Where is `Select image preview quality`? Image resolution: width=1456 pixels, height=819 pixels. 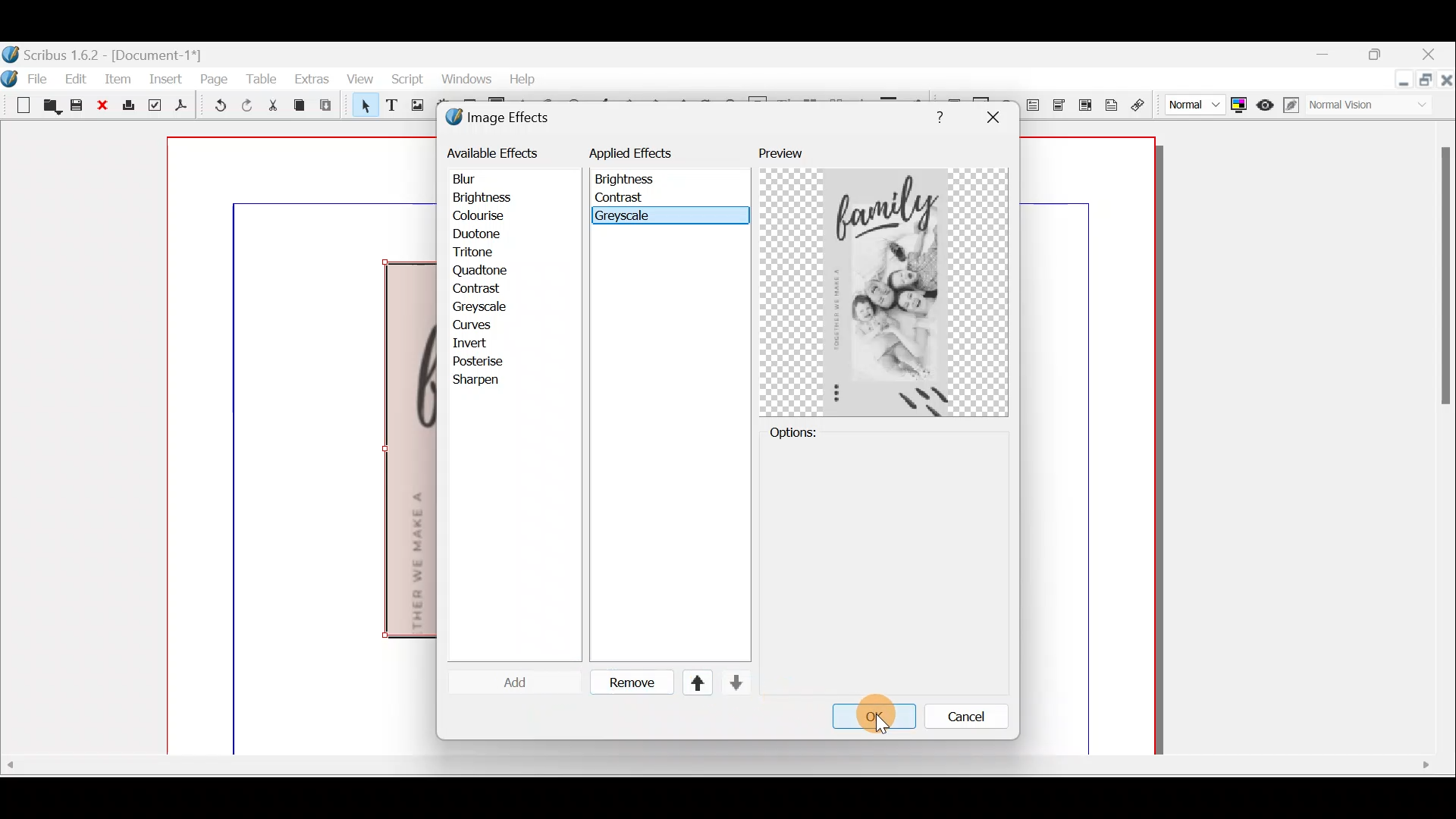 Select image preview quality is located at coordinates (1188, 106).